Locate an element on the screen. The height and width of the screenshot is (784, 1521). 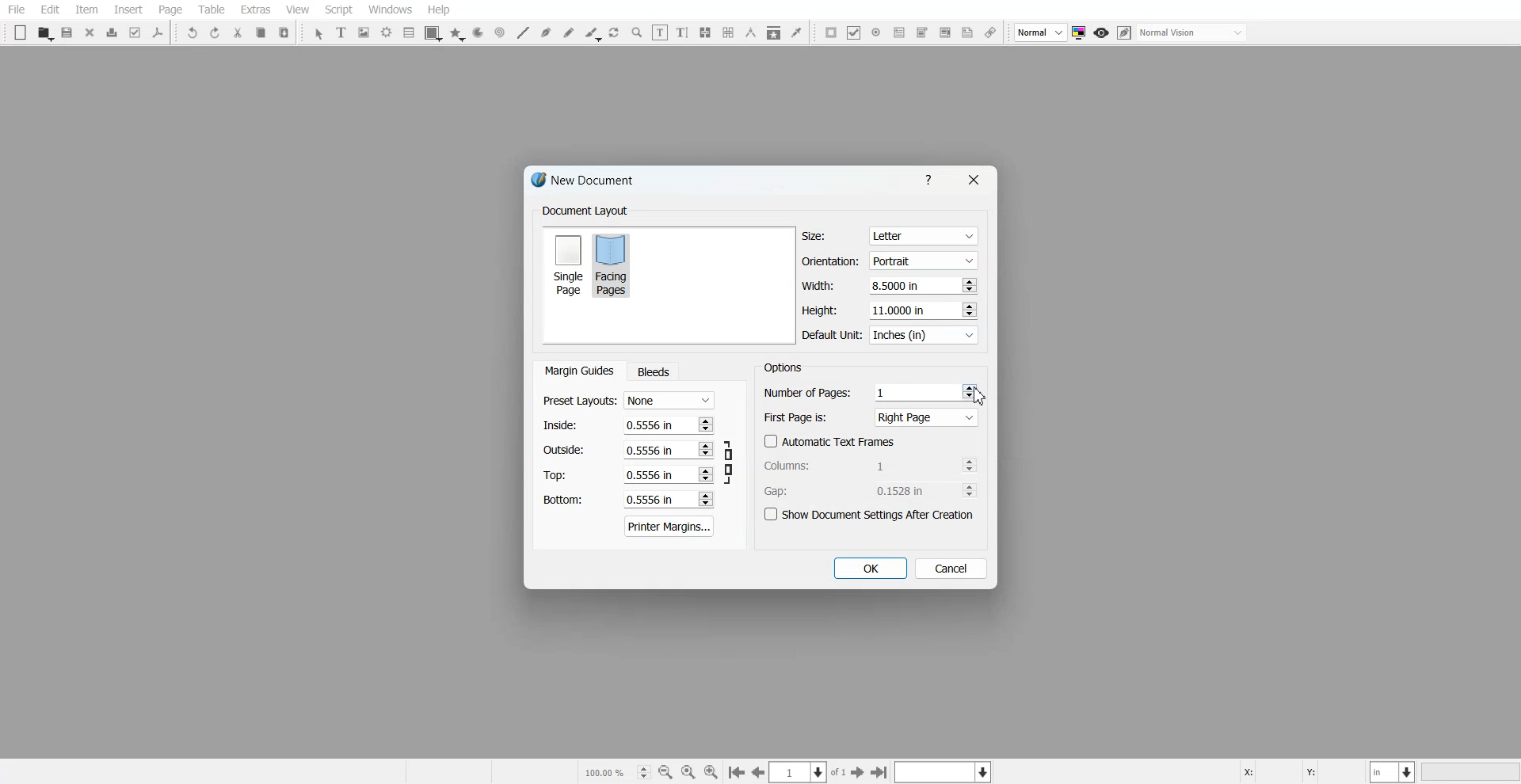
Toggle color  is located at coordinates (1081, 33).